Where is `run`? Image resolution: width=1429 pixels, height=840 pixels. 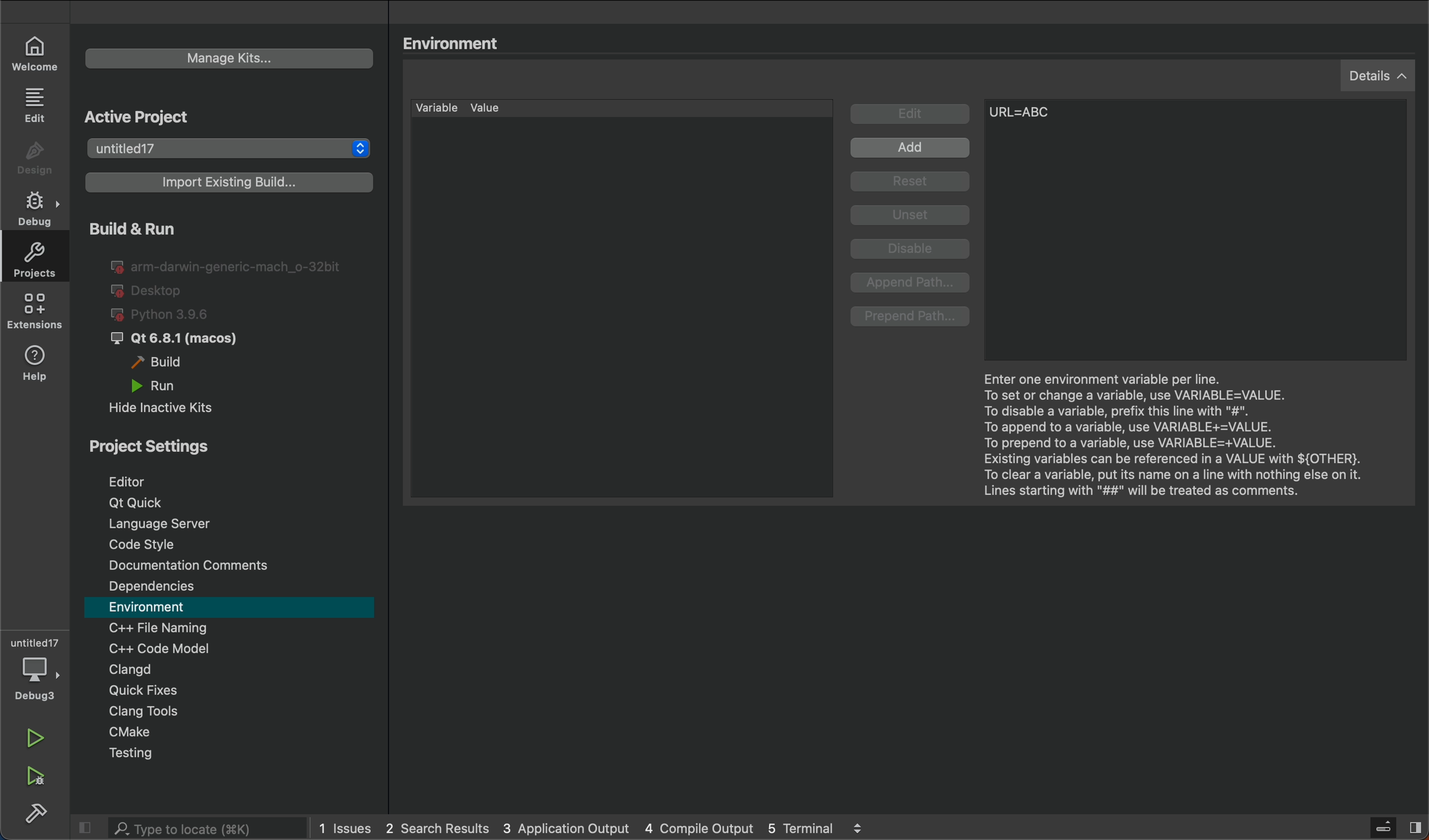 run is located at coordinates (174, 385).